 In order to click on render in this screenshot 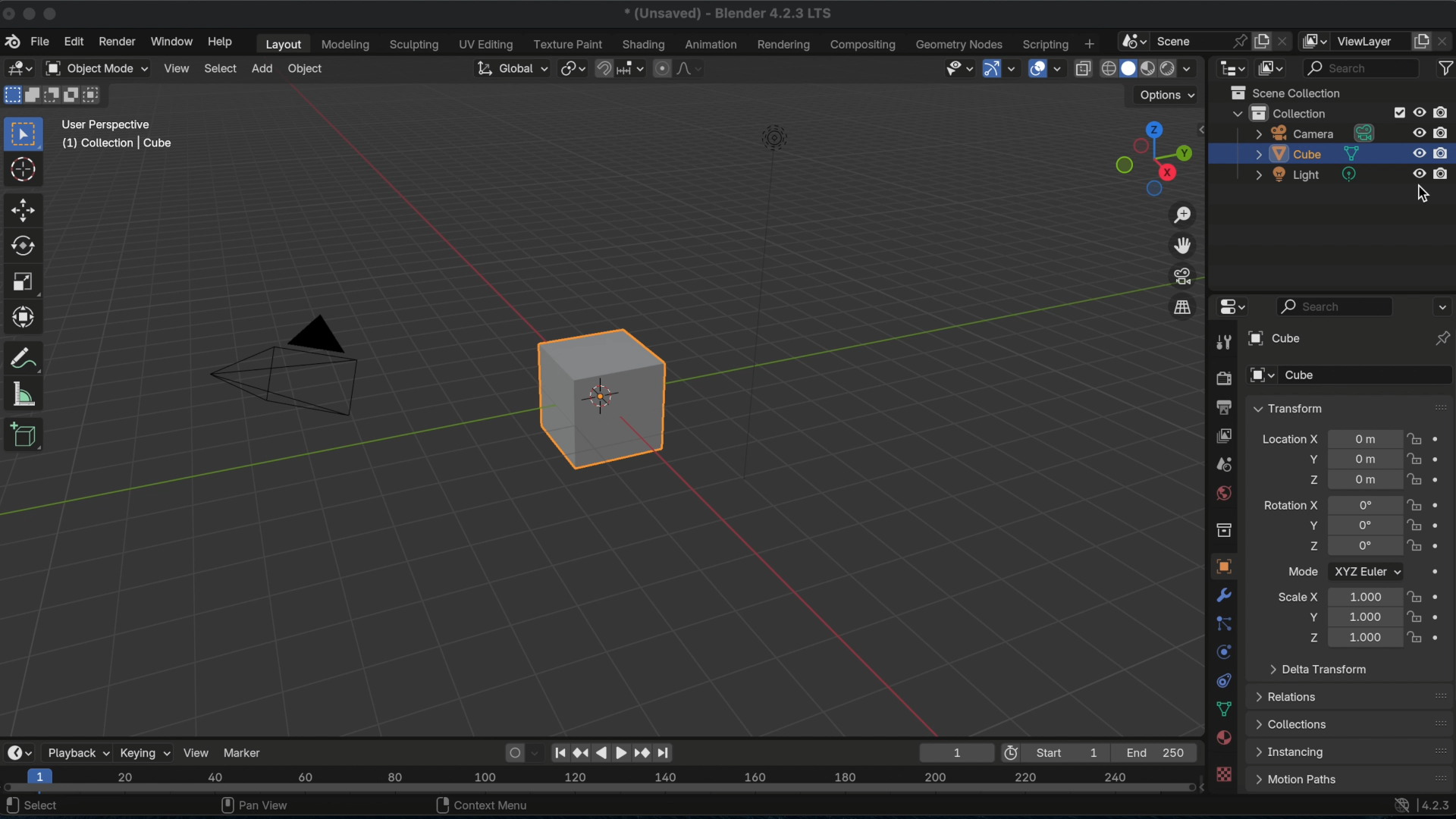, I will do `click(118, 41)`.